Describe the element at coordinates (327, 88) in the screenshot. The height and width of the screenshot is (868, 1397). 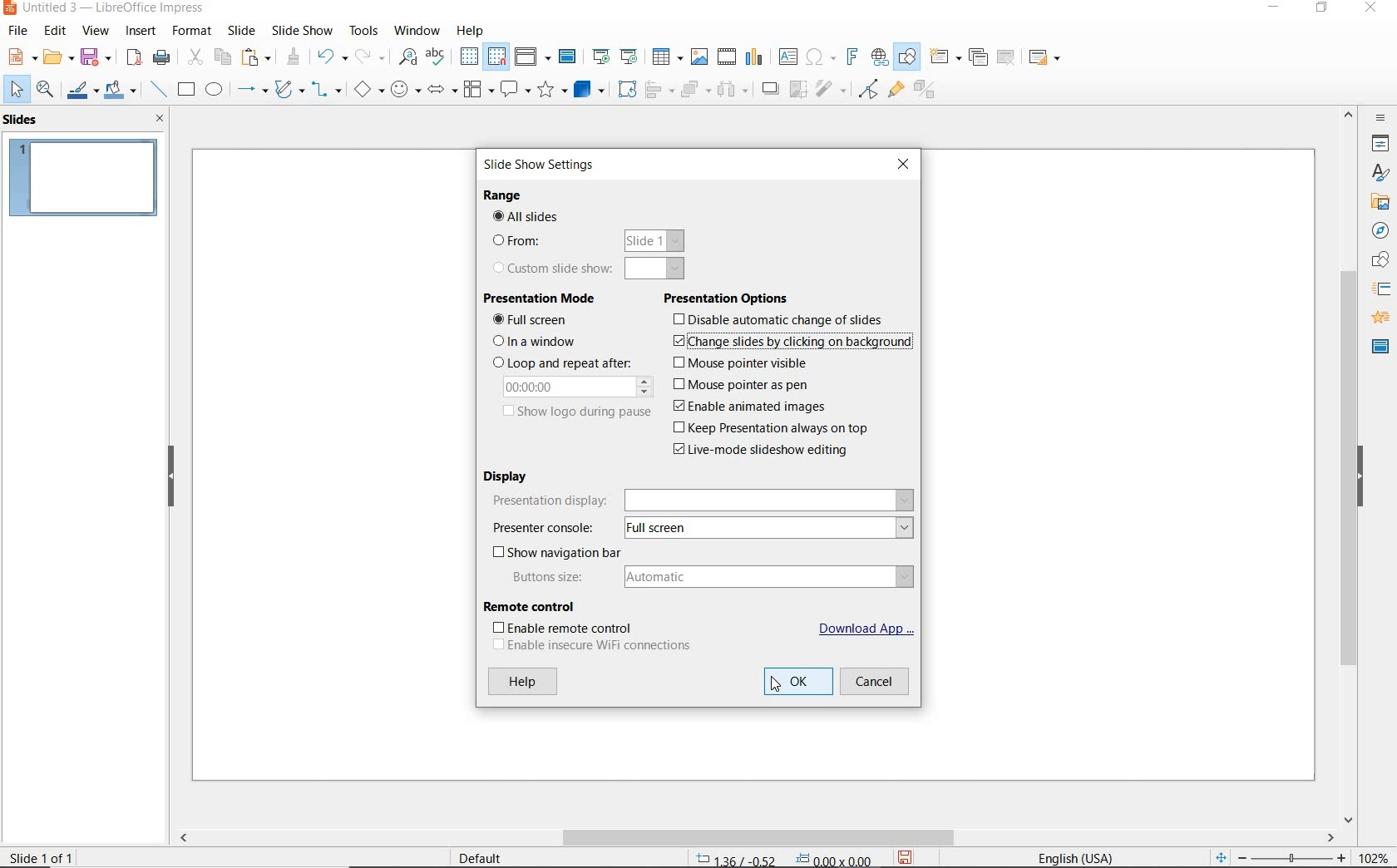
I see `CONNECTORS` at that location.